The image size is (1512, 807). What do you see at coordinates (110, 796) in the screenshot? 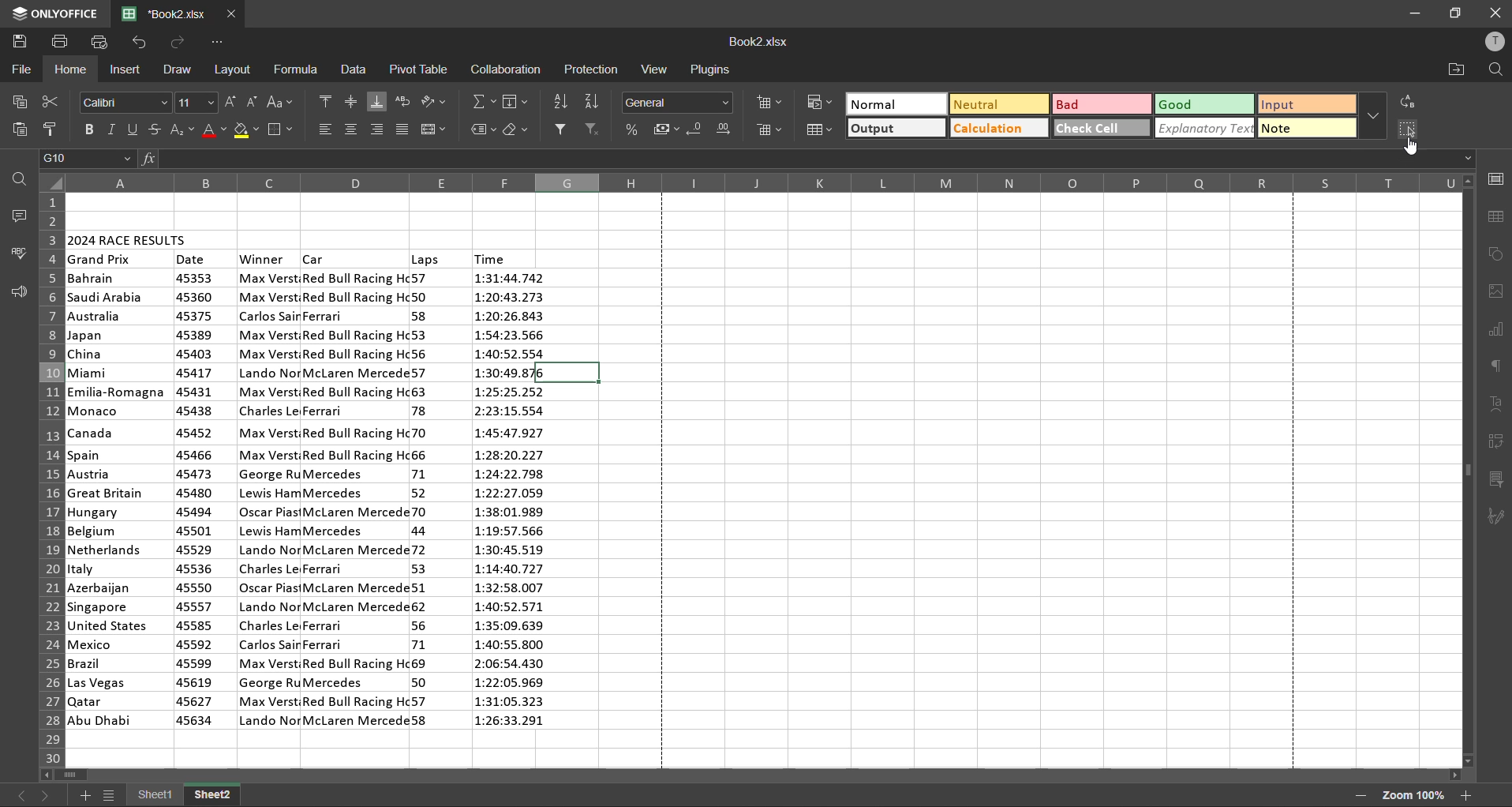
I see `sheet list` at bounding box center [110, 796].